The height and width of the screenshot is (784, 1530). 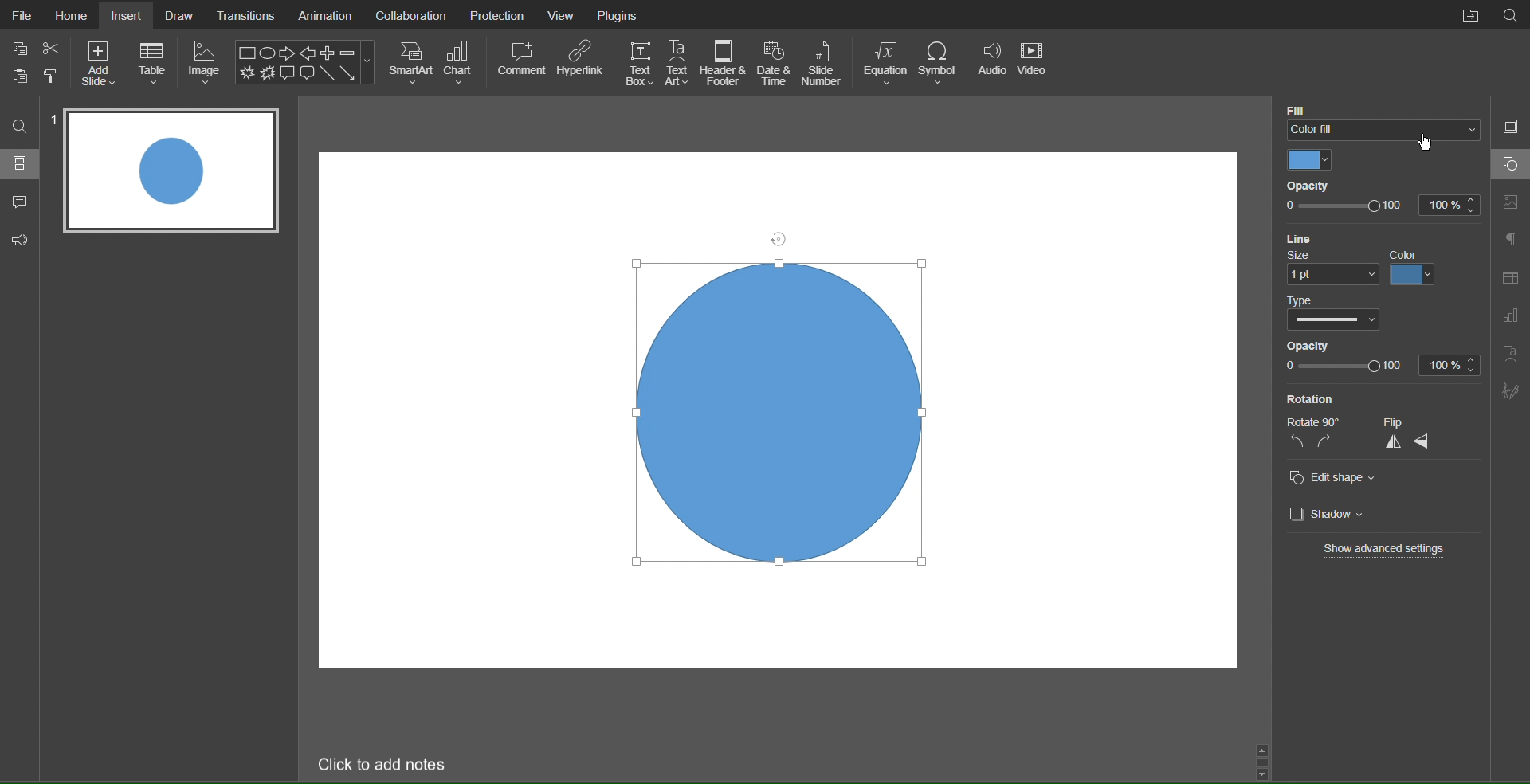 What do you see at coordinates (19, 49) in the screenshot?
I see `copy` at bounding box center [19, 49].